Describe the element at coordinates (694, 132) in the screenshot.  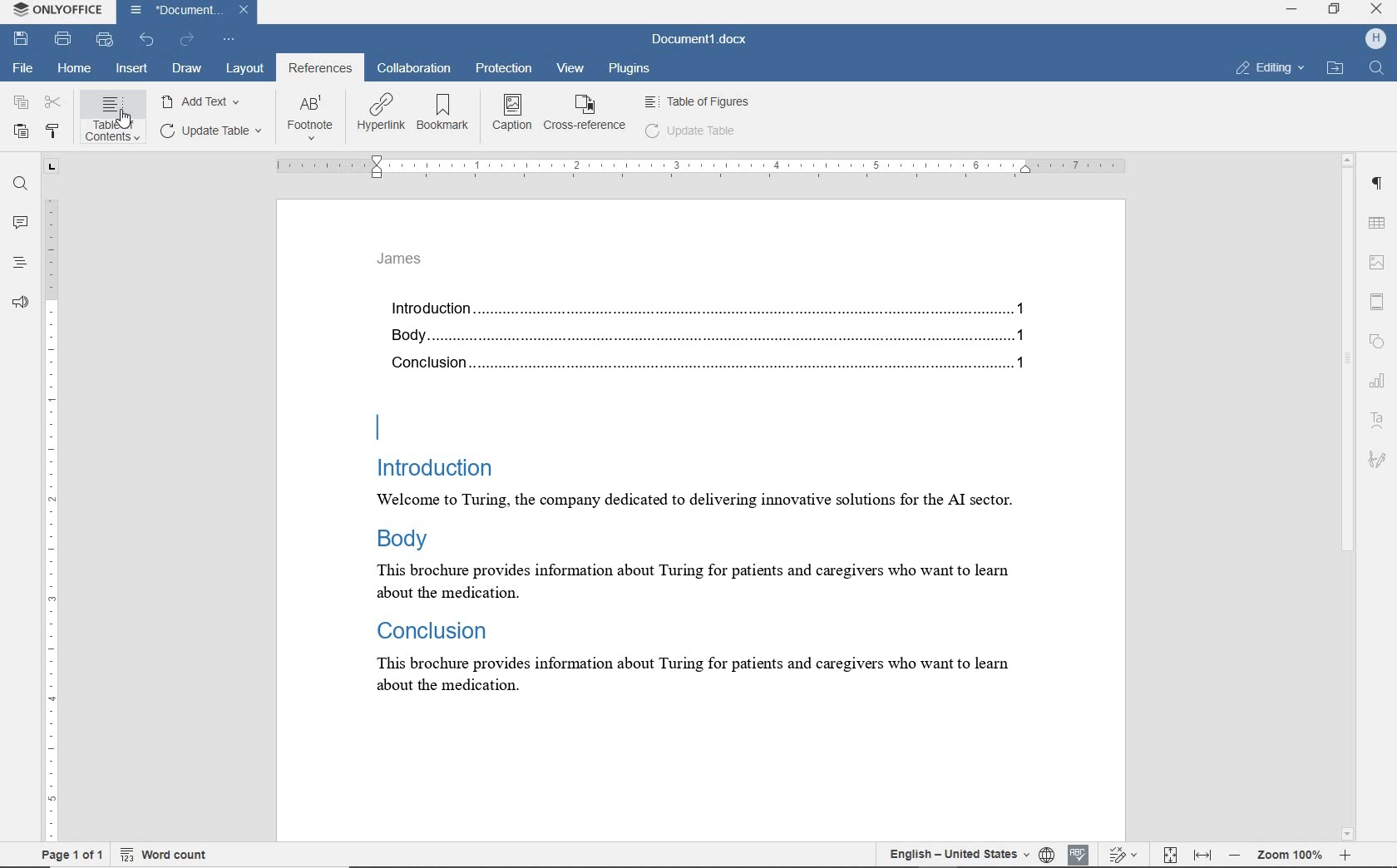
I see `update table` at that location.